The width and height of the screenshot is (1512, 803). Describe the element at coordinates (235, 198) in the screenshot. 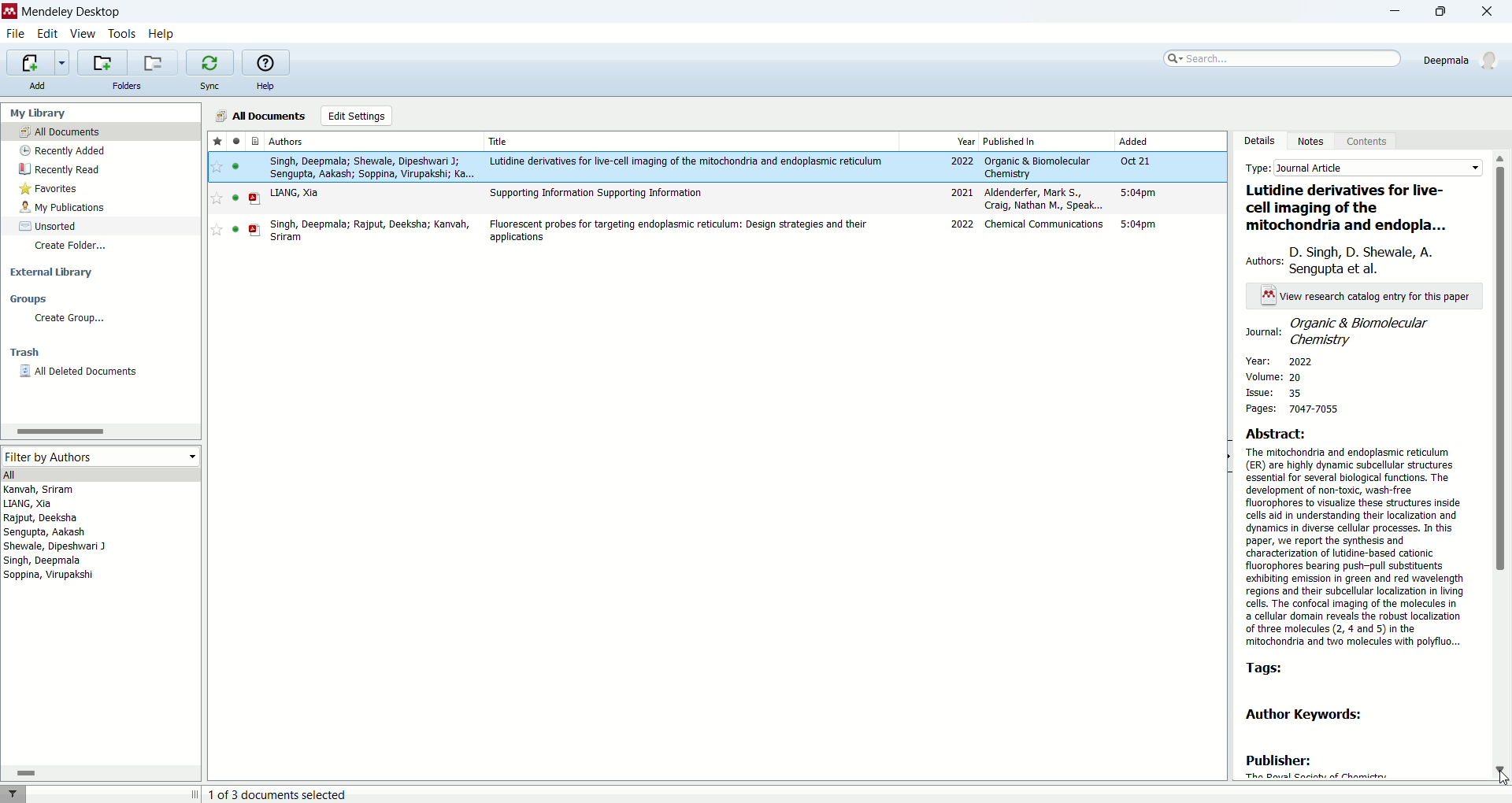

I see `unread` at that location.